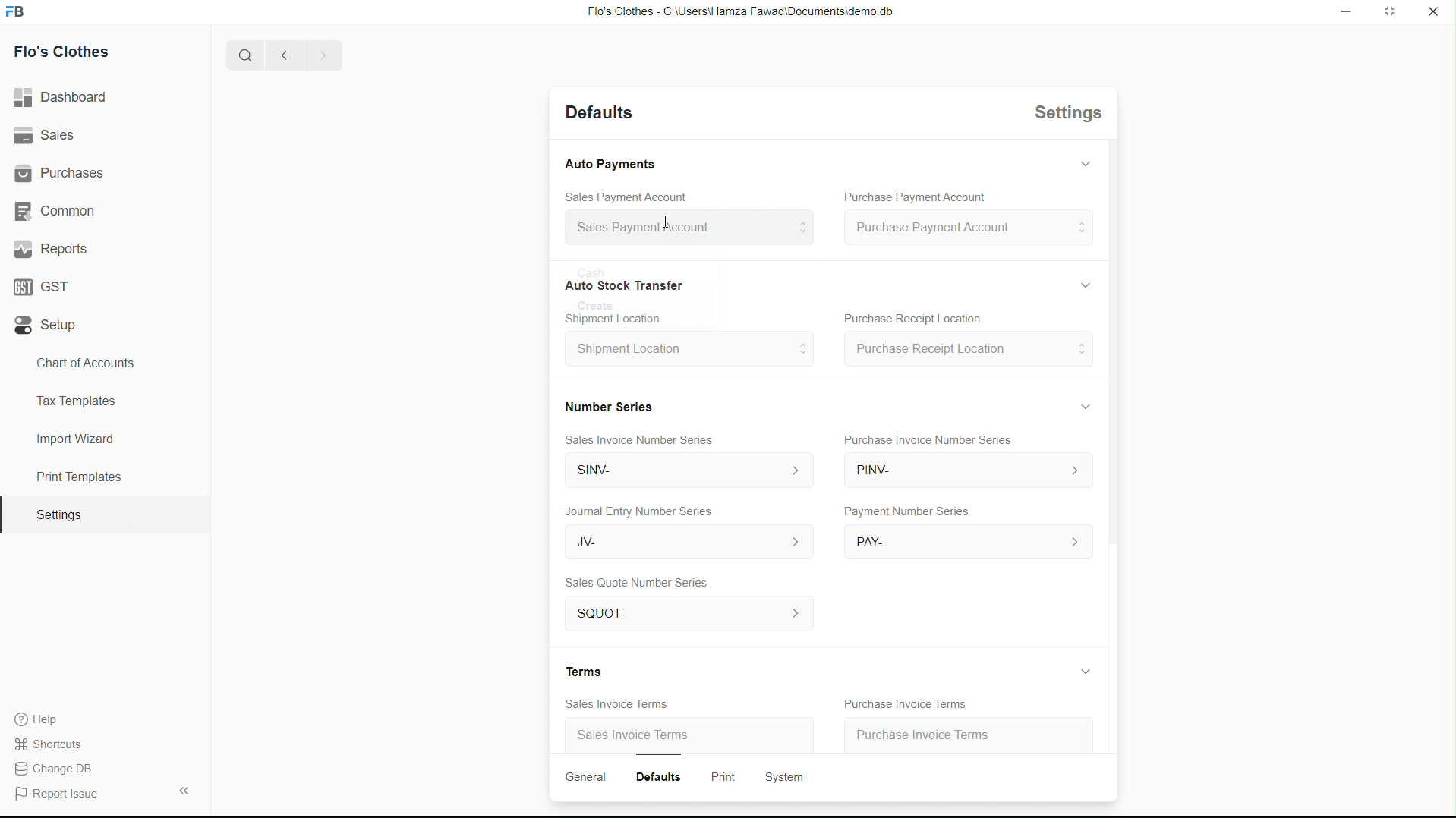 Image resolution: width=1456 pixels, height=818 pixels. What do you see at coordinates (909, 704) in the screenshot?
I see `Purchase Invoice Terms` at bounding box center [909, 704].